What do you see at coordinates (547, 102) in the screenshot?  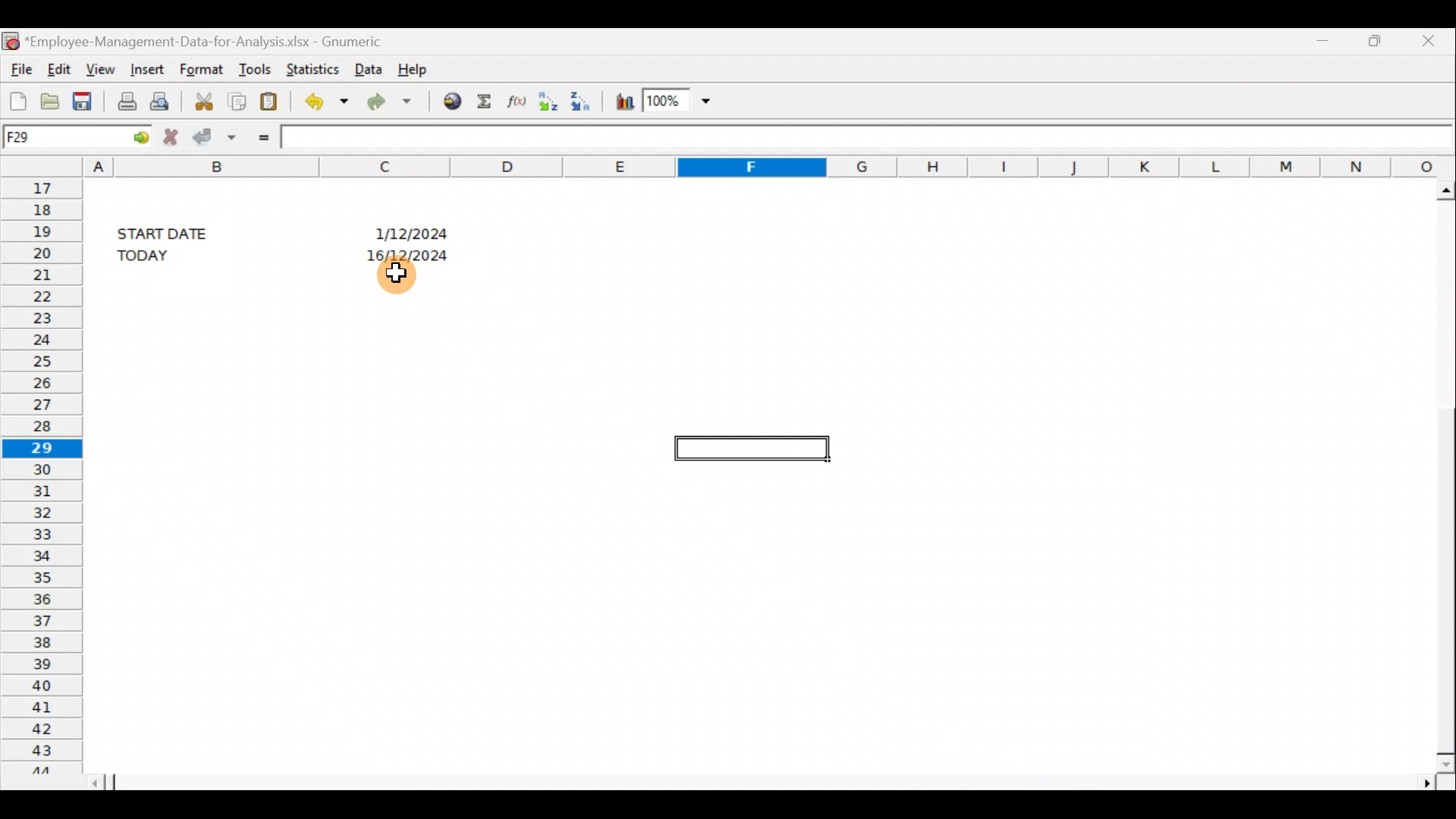 I see `Sort in Ascending order` at bounding box center [547, 102].